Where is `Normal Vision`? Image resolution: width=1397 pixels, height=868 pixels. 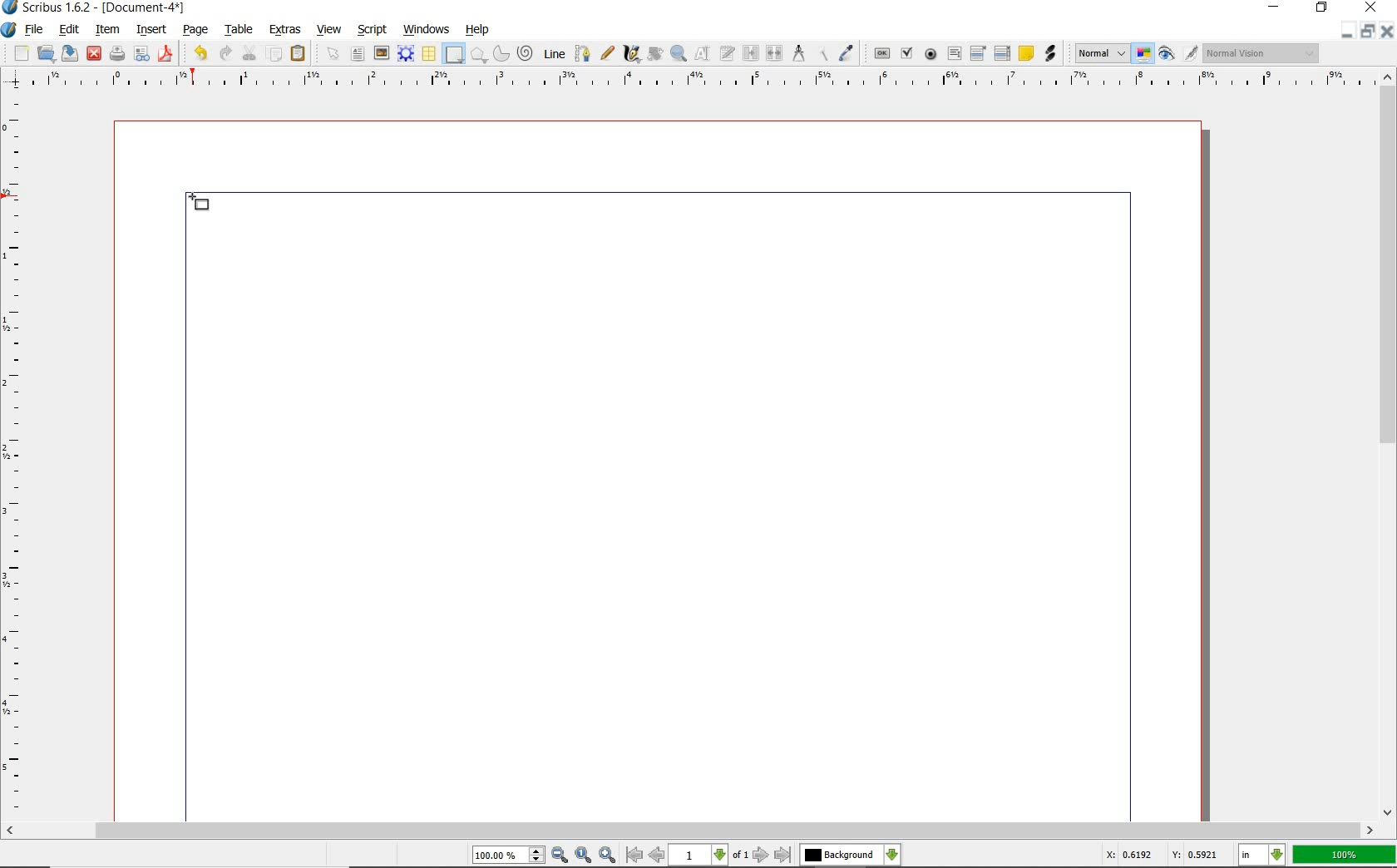
Normal Vision is located at coordinates (1261, 52).